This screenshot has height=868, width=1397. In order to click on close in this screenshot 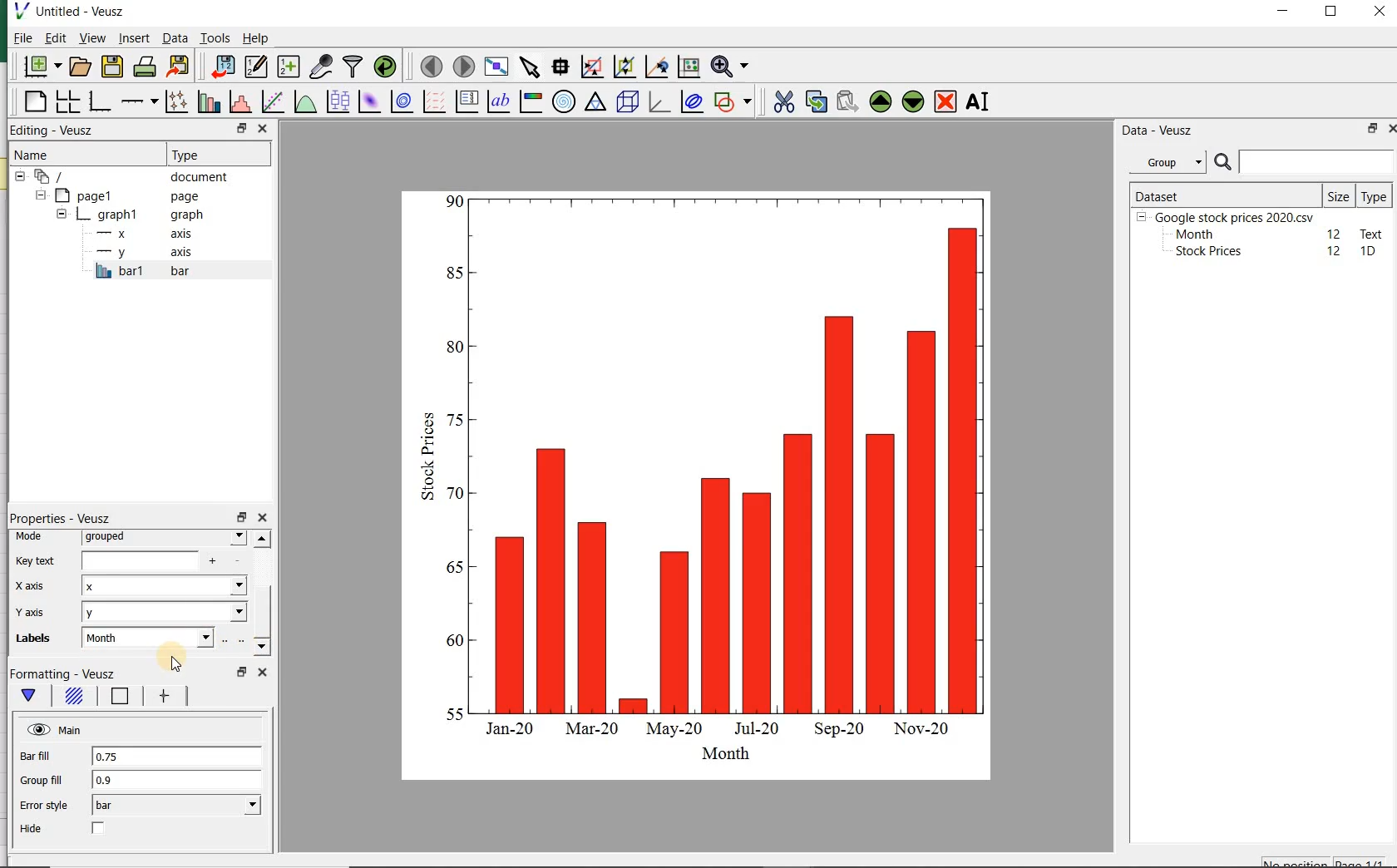, I will do `click(263, 674)`.